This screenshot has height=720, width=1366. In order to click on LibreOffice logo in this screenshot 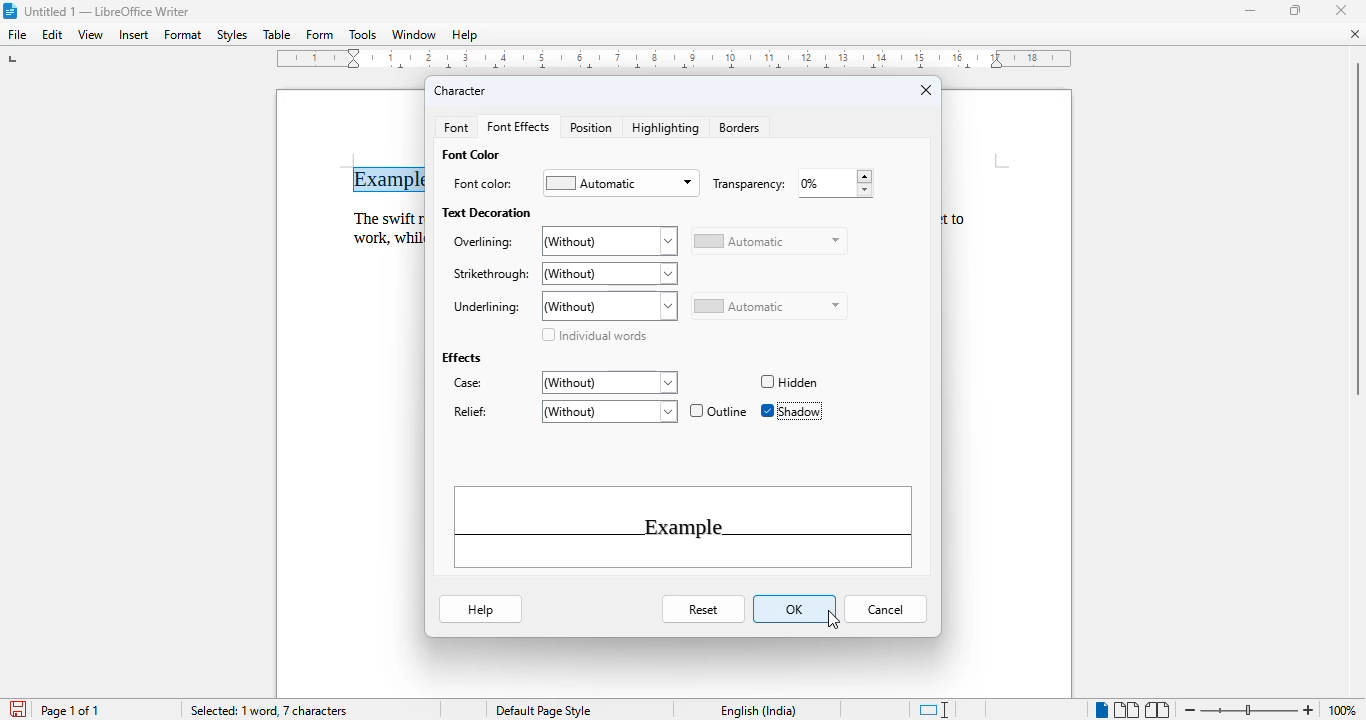, I will do `click(9, 11)`.